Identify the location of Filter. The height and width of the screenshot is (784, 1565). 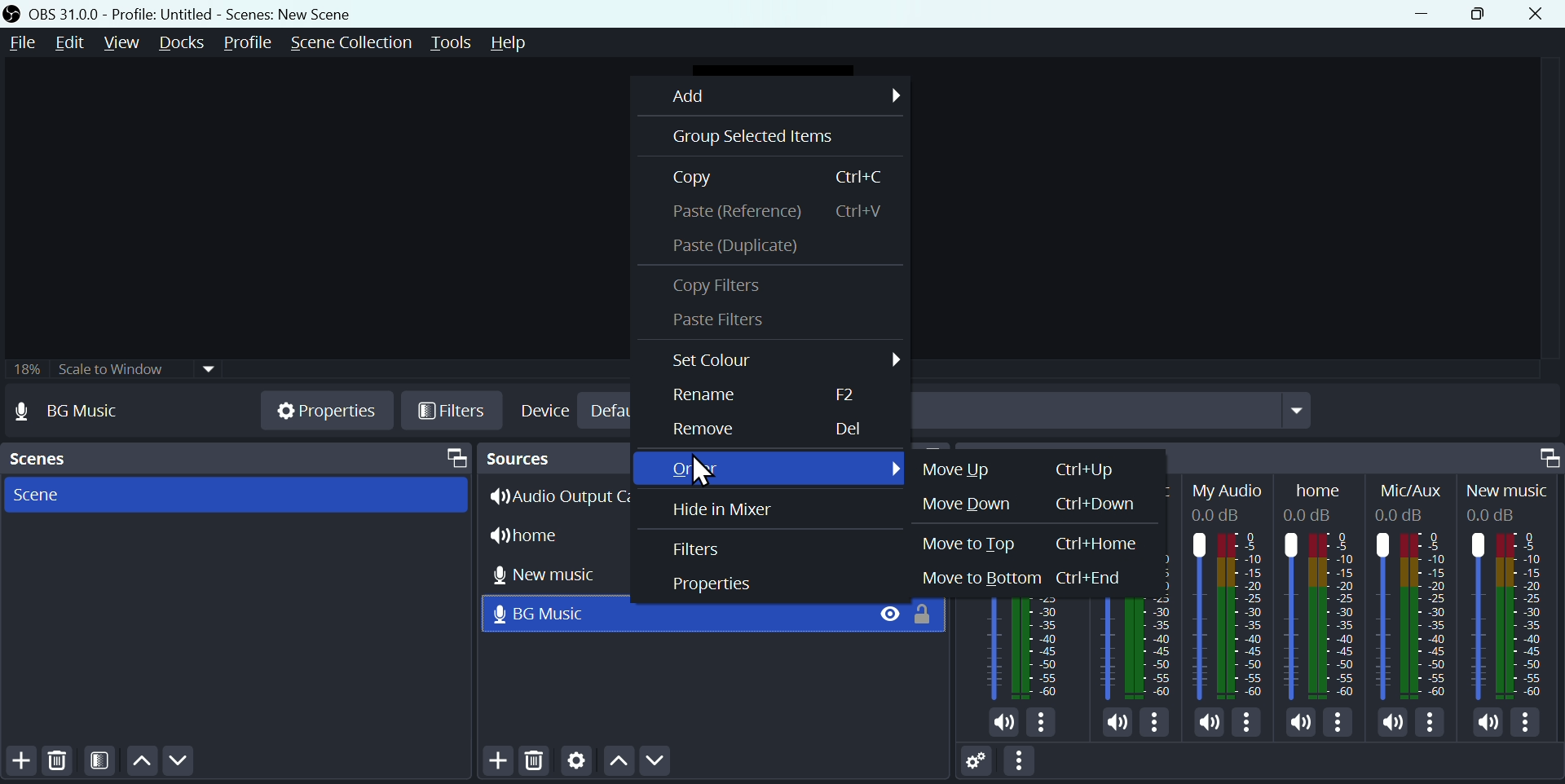
(698, 549).